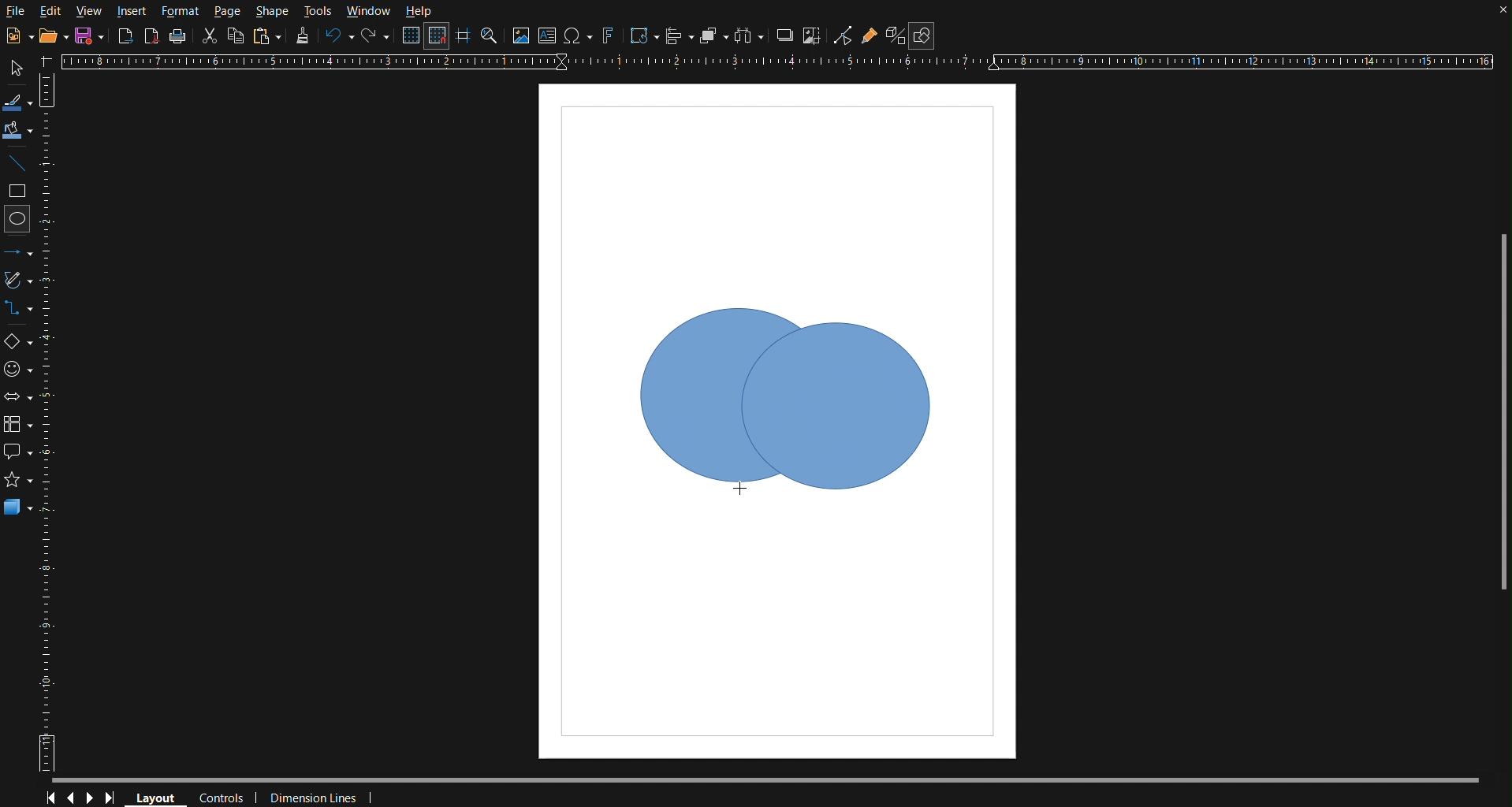 The image size is (1512, 807). What do you see at coordinates (870, 37) in the screenshot?
I see `Gluepoint Function` at bounding box center [870, 37].